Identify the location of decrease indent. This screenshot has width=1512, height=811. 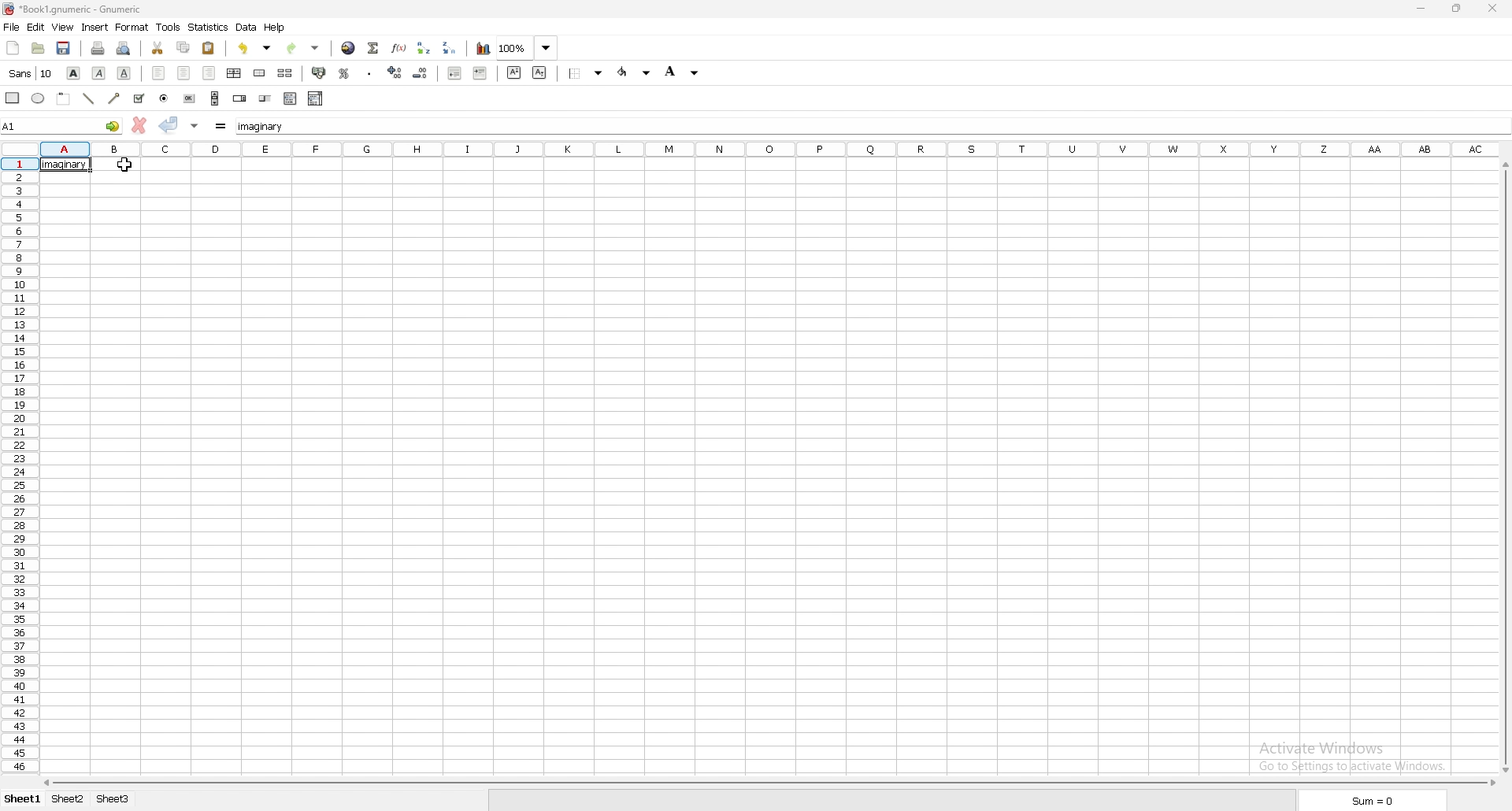
(454, 73).